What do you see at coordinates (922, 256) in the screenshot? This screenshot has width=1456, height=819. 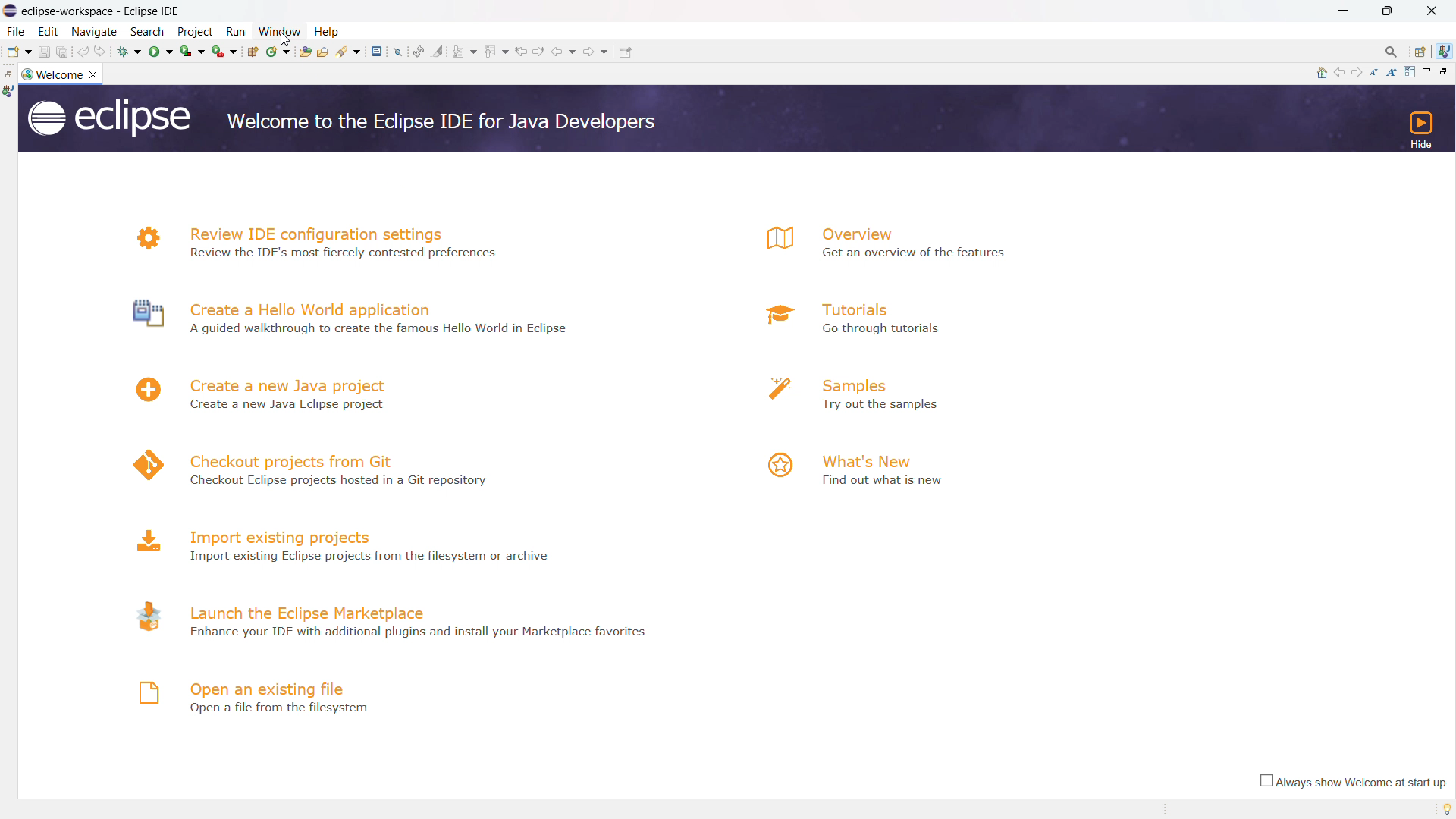 I see `Get an overview of the features` at bounding box center [922, 256].